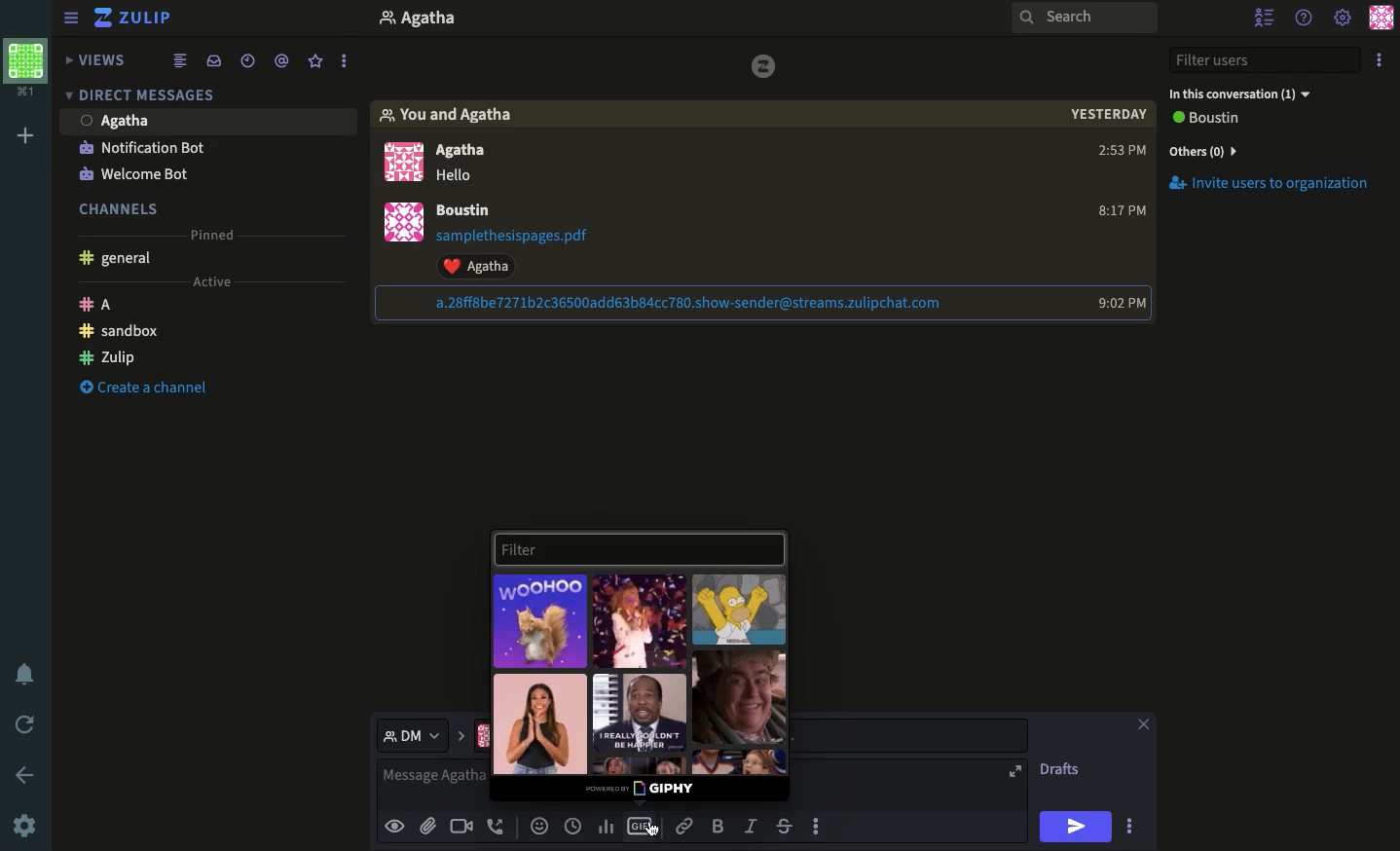 The height and width of the screenshot is (851, 1400). What do you see at coordinates (145, 98) in the screenshot?
I see `DM` at bounding box center [145, 98].